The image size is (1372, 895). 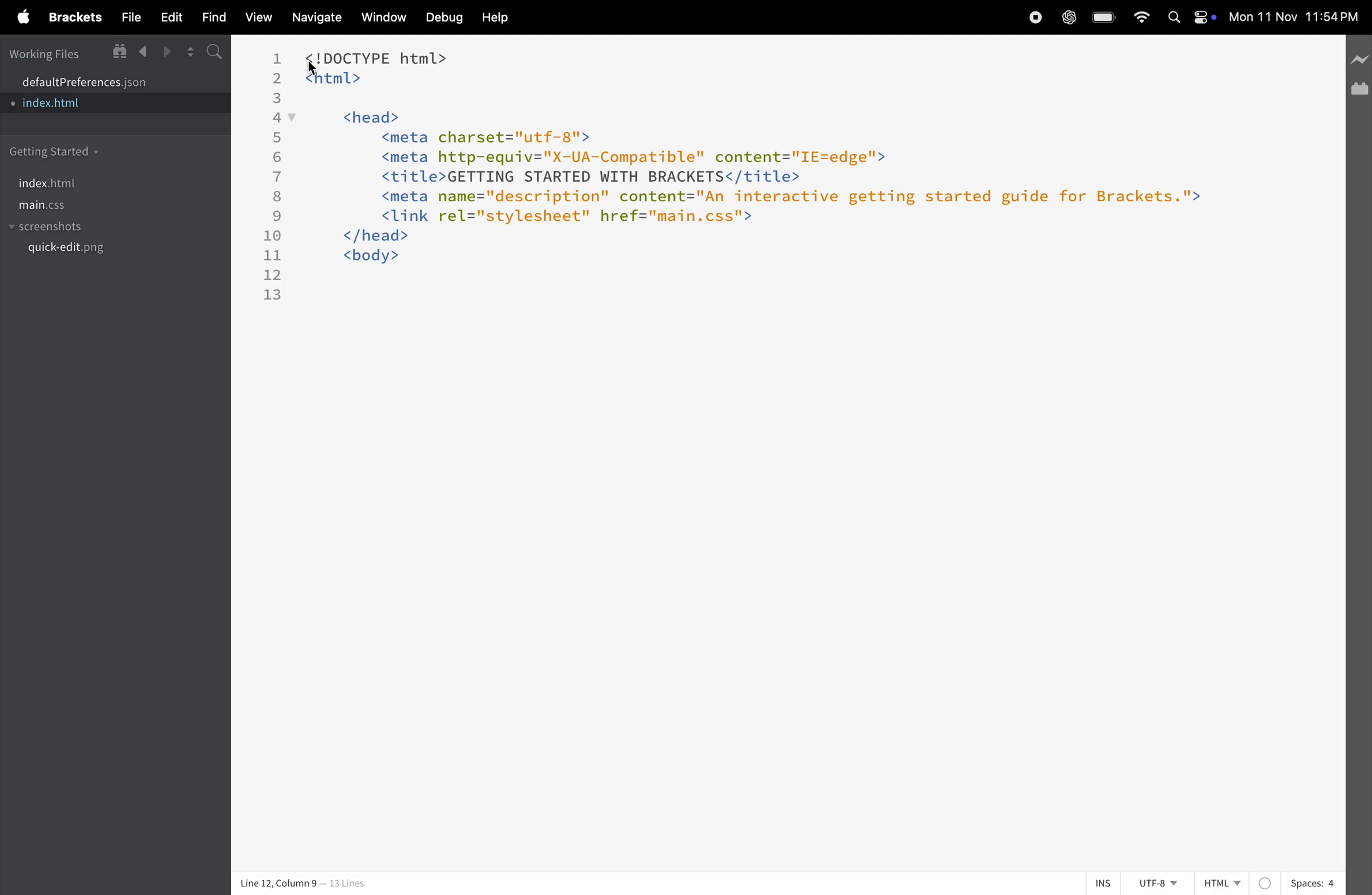 What do you see at coordinates (258, 17) in the screenshot?
I see `view` at bounding box center [258, 17].